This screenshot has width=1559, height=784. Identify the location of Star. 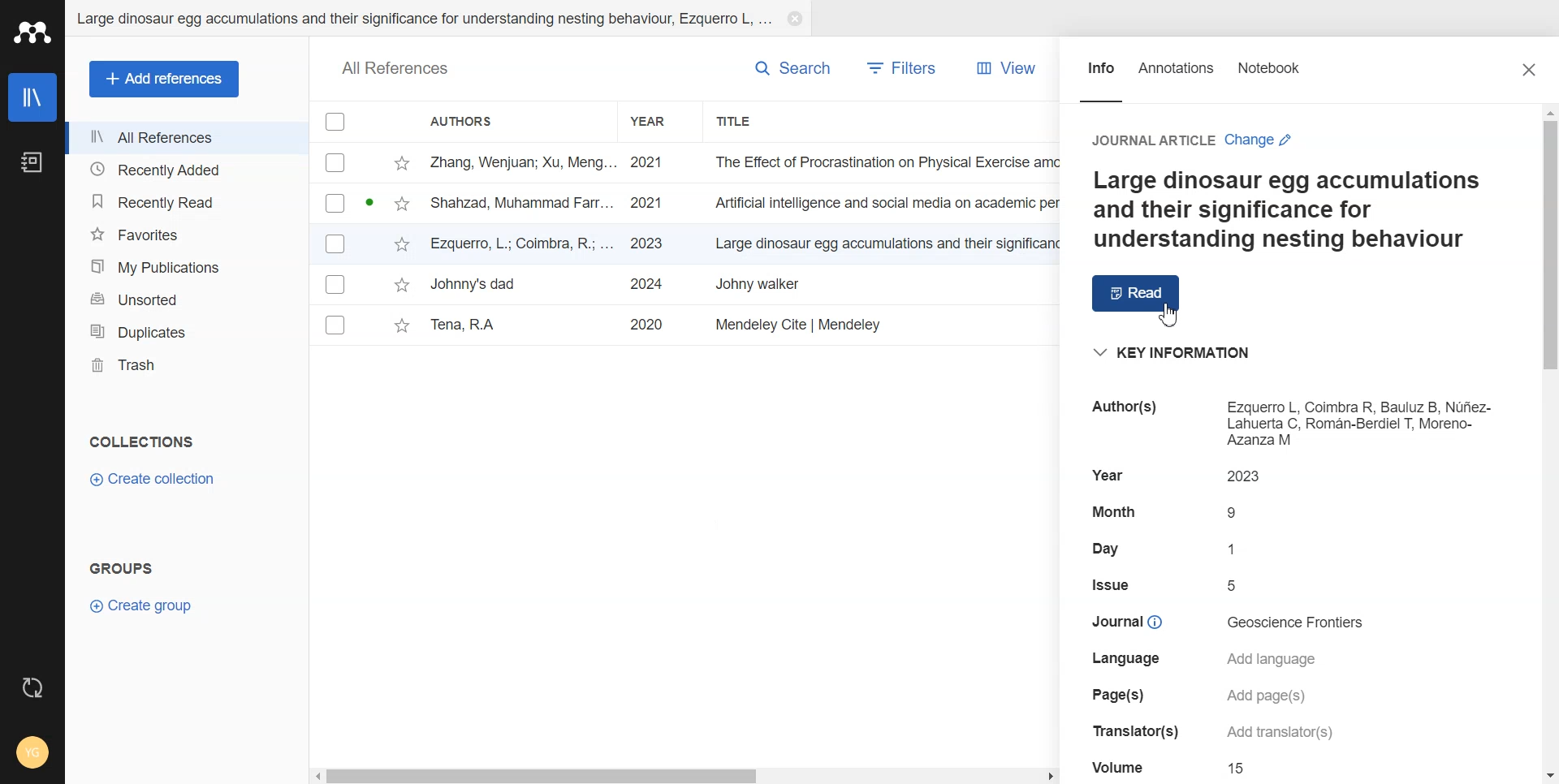
(404, 164).